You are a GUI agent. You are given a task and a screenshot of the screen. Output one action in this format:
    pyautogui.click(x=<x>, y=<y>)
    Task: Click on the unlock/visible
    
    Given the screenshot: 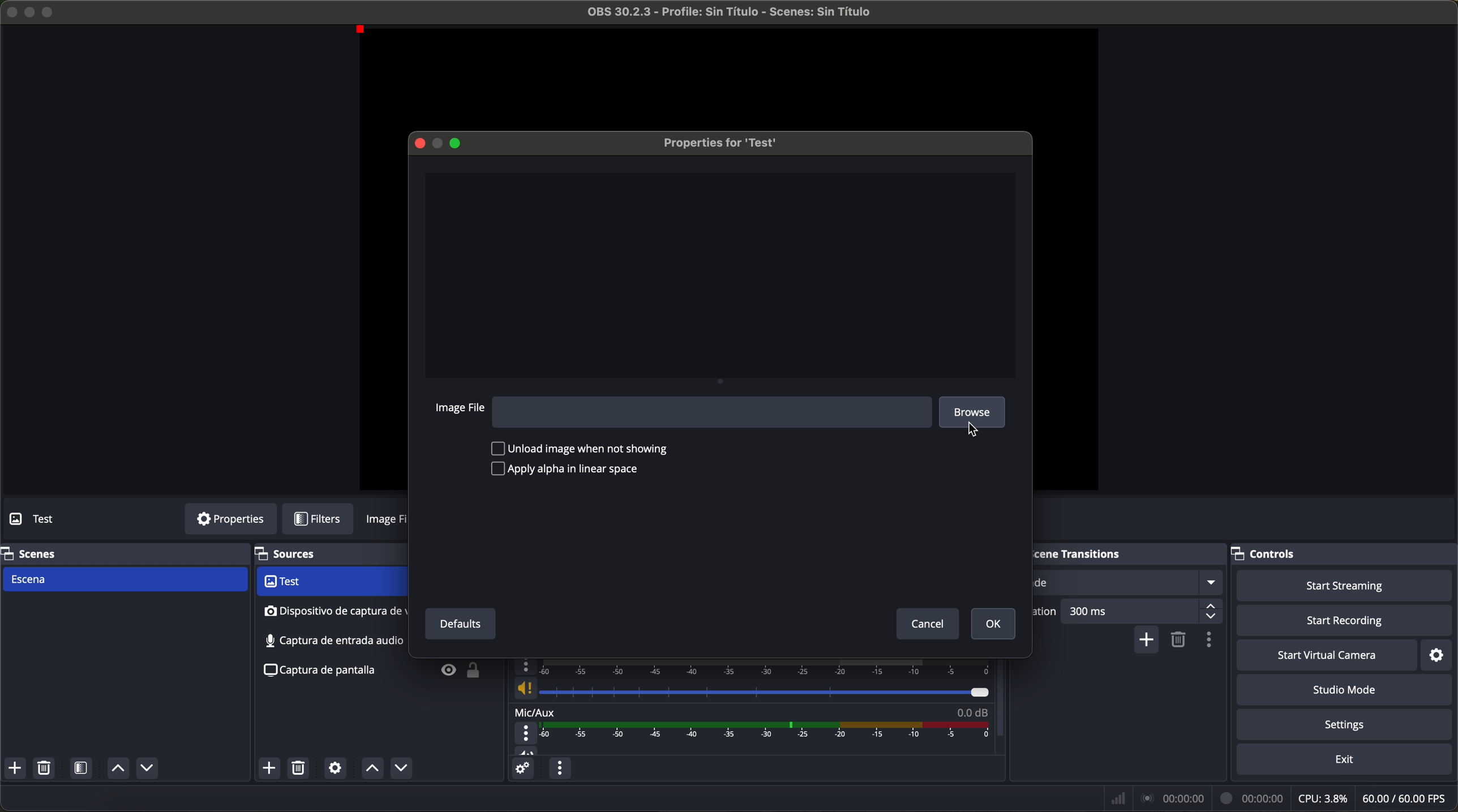 What is the action you would take?
    pyautogui.click(x=456, y=672)
    